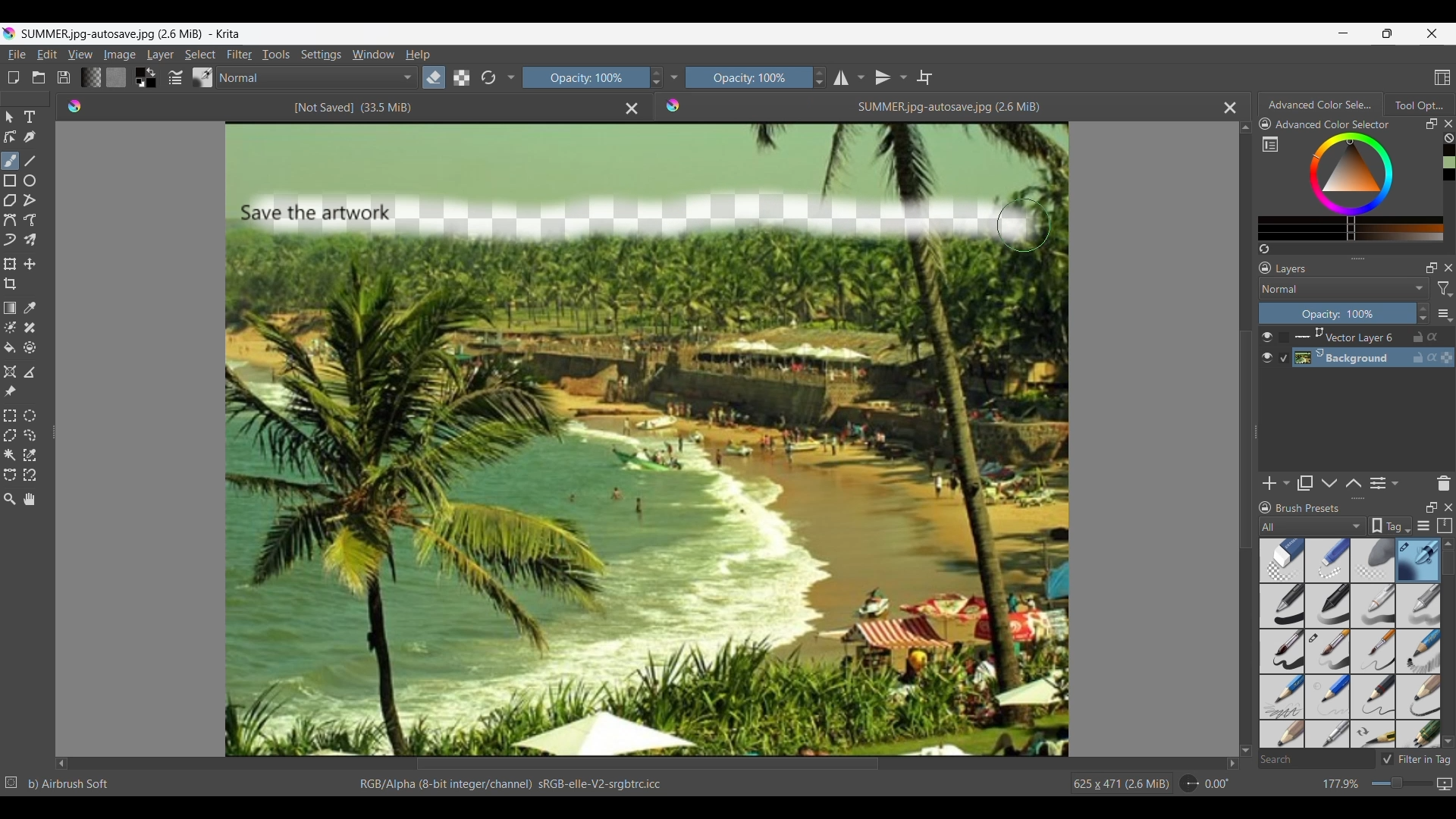 This screenshot has height=819, width=1456. What do you see at coordinates (1266, 510) in the screenshot?
I see `Lock Brush Presets panel` at bounding box center [1266, 510].